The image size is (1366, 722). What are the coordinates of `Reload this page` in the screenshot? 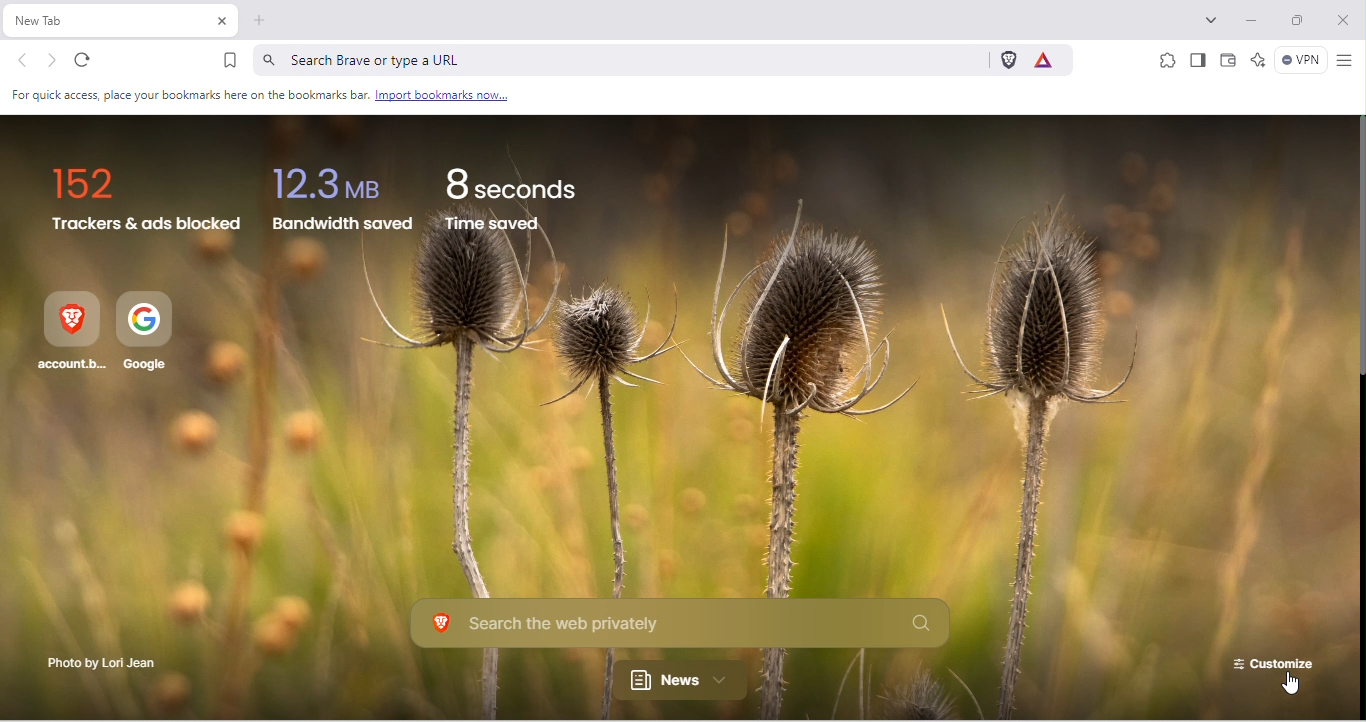 It's located at (92, 61).